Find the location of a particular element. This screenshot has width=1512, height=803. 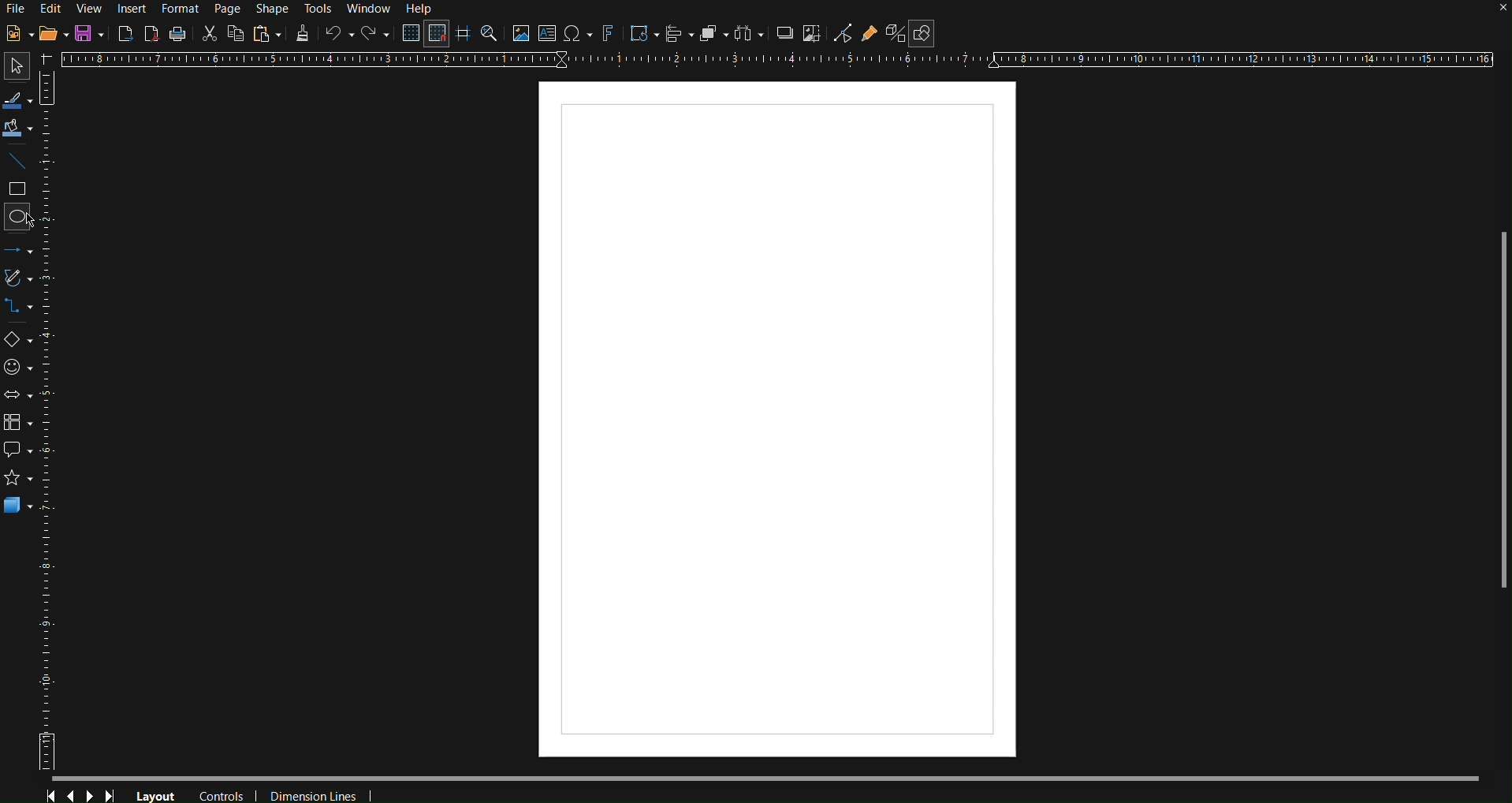

Insert Fontworks is located at coordinates (608, 35).